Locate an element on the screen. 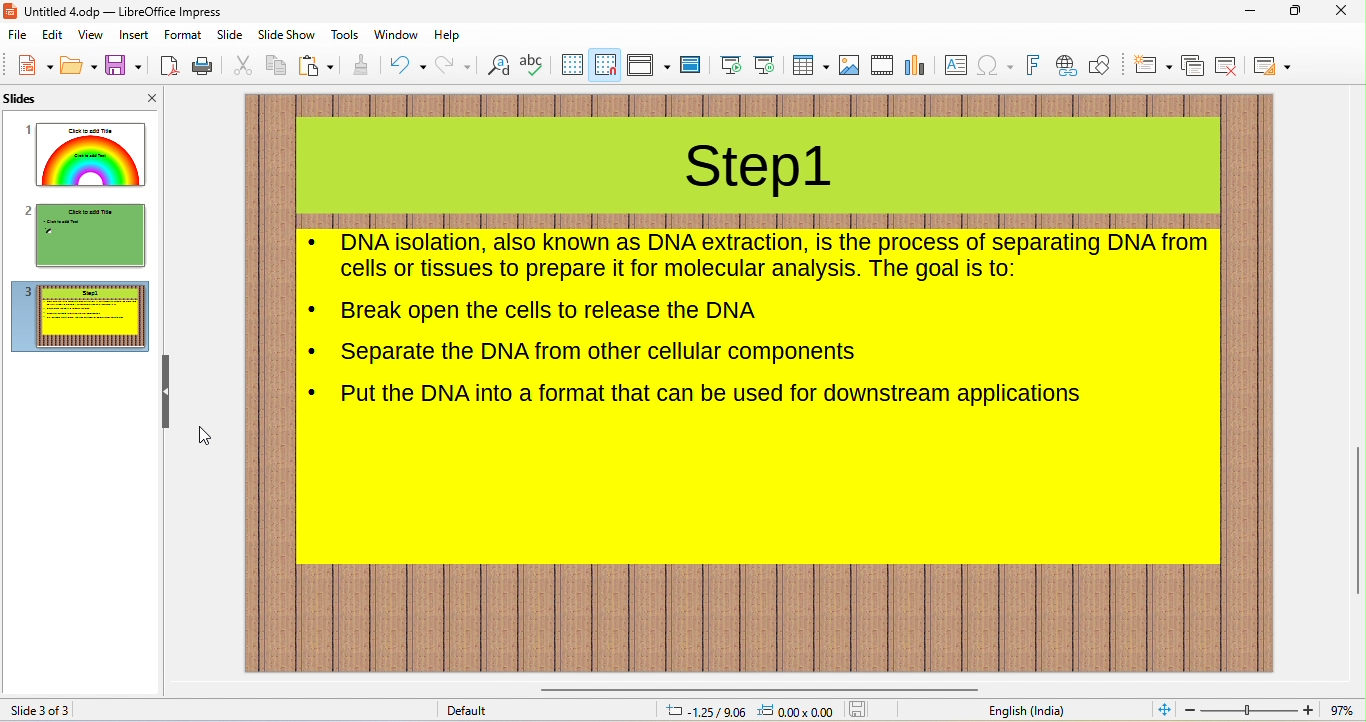  close is located at coordinates (1346, 12).